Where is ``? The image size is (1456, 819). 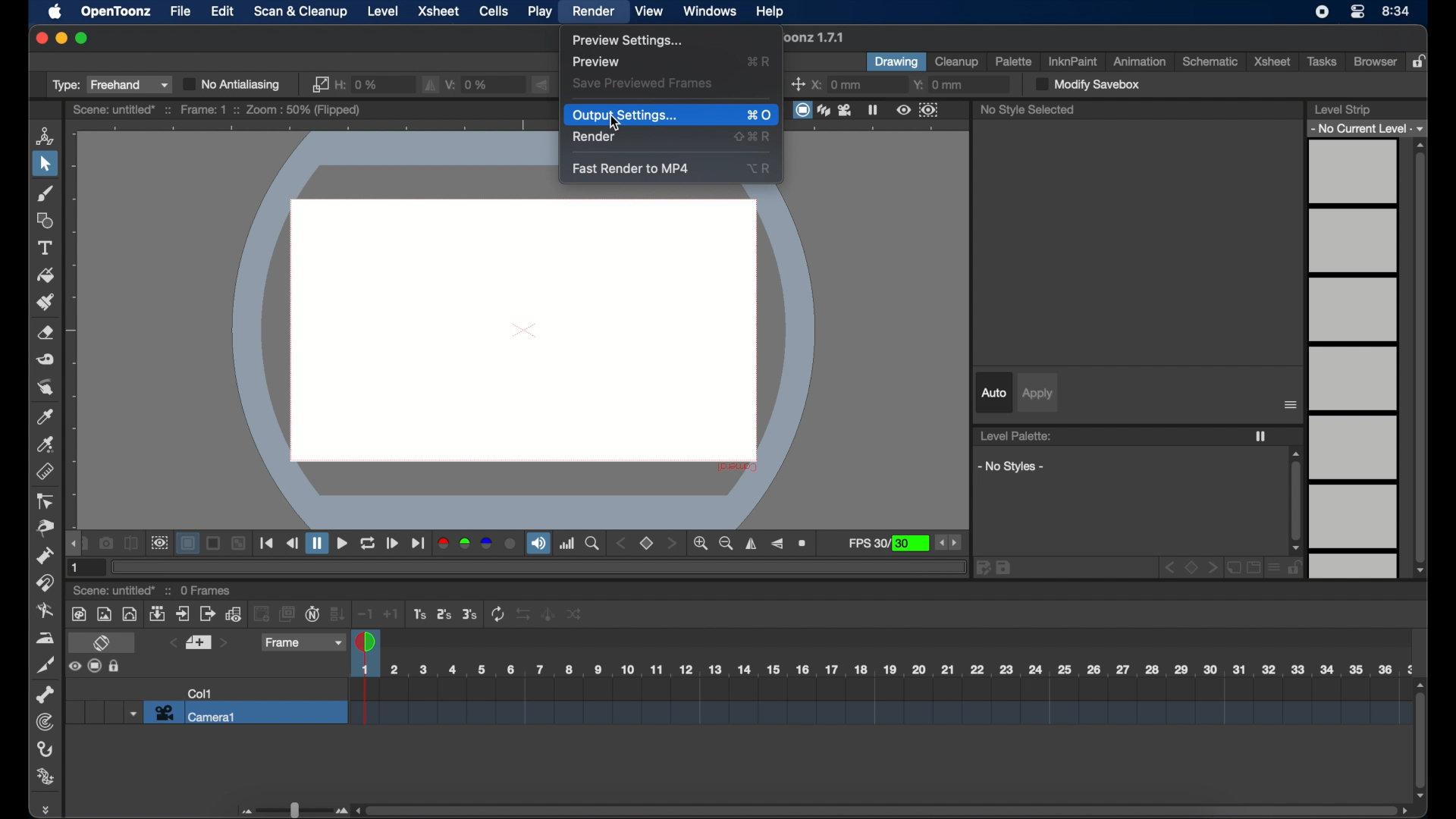  is located at coordinates (471, 613).